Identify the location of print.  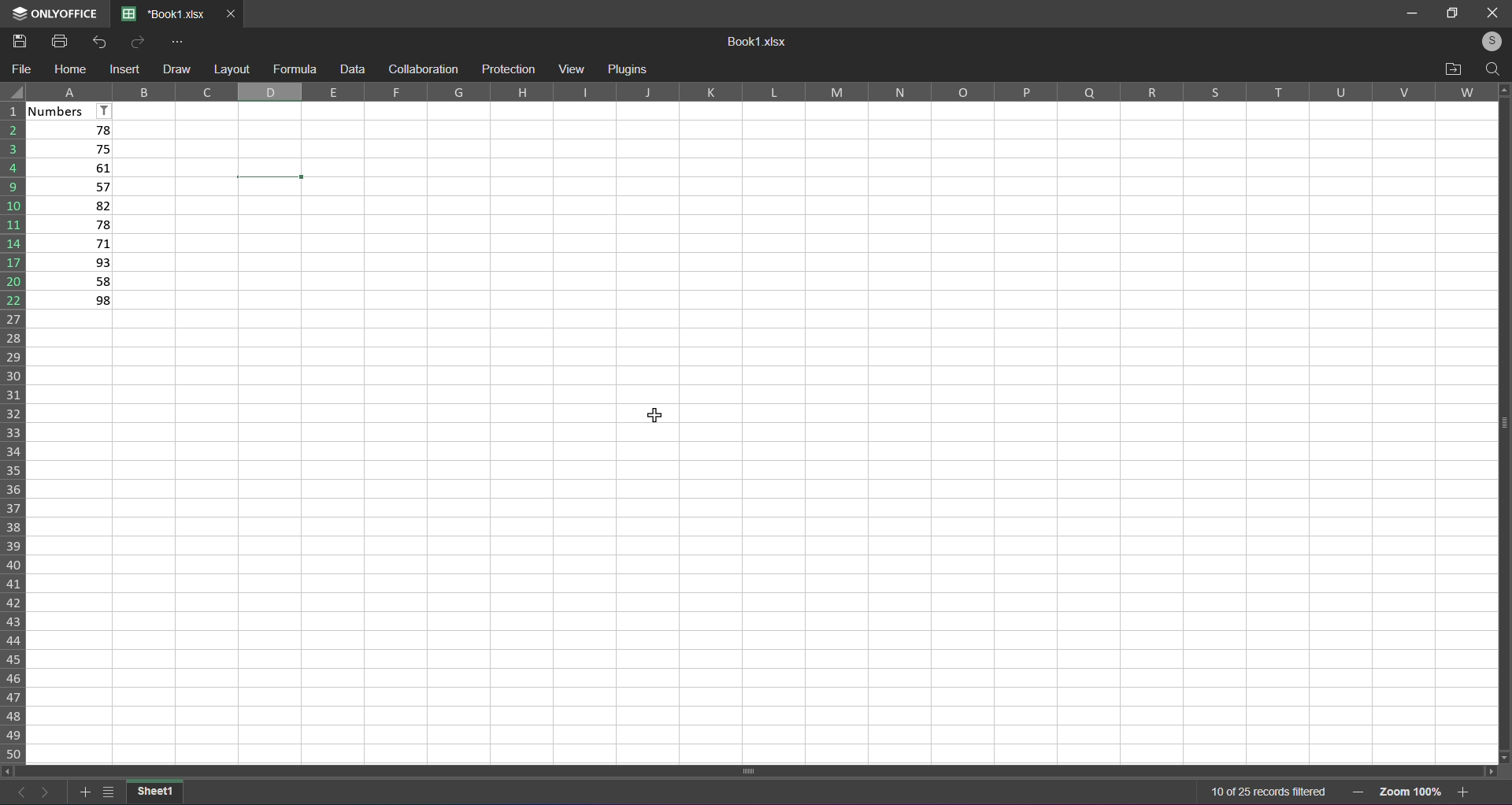
(57, 41).